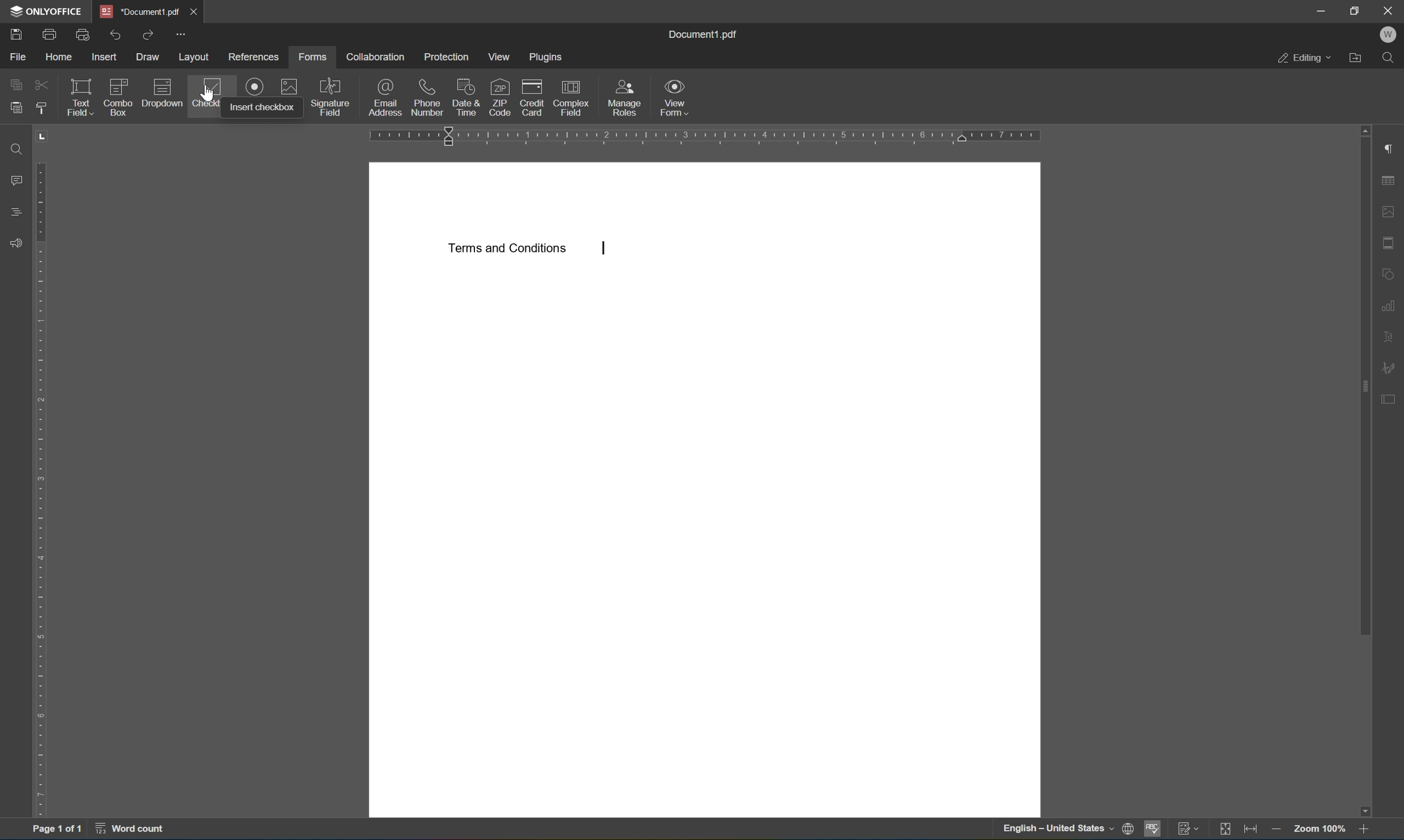 The width and height of the screenshot is (1404, 840). Describe the element at coordinates (42, 110) in the screenshot. I see `copy style` at that location.